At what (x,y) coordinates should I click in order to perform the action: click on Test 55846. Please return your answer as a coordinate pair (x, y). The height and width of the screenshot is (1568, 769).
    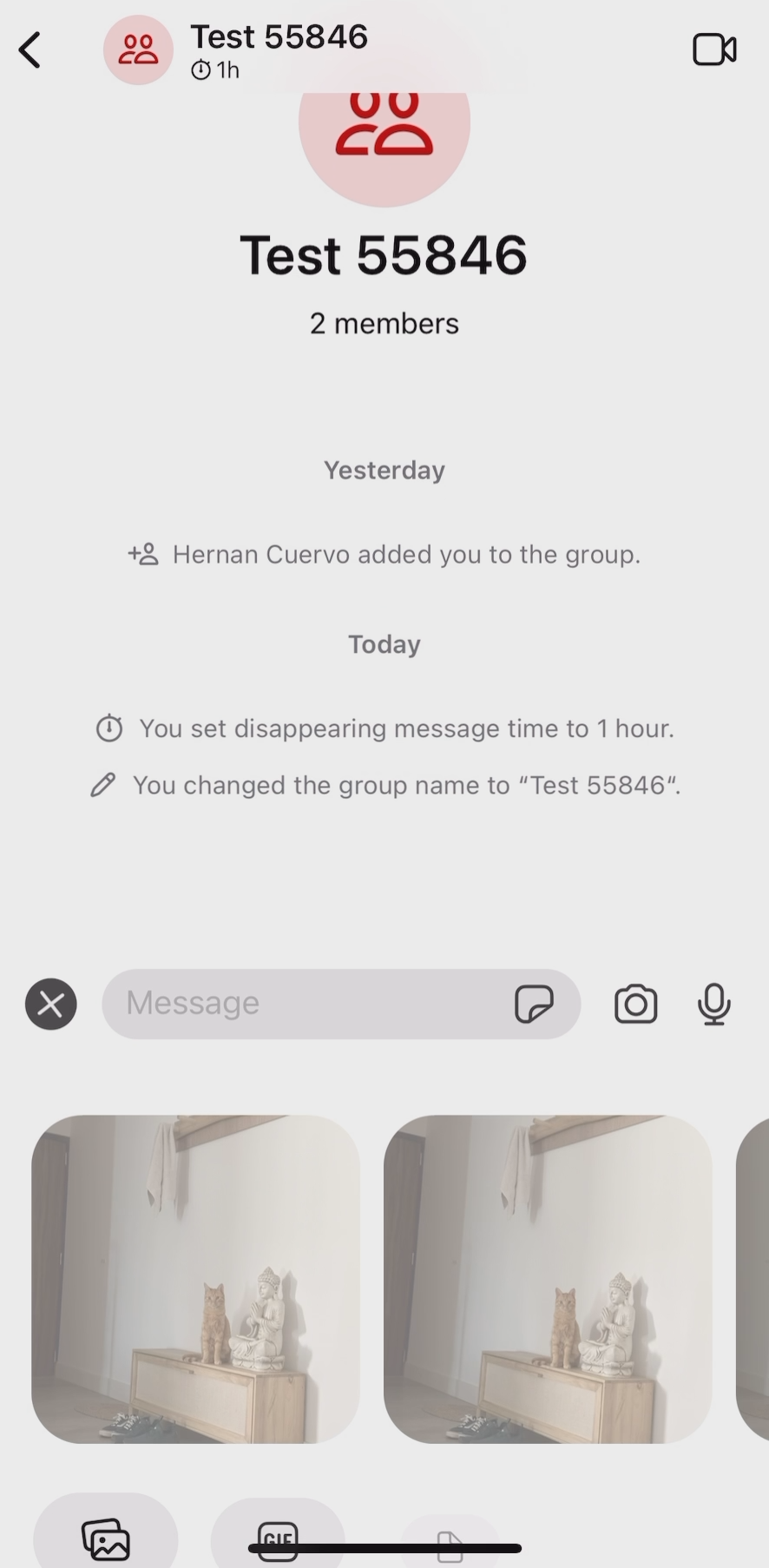
    Looking at the image, I should click on (383, 198).